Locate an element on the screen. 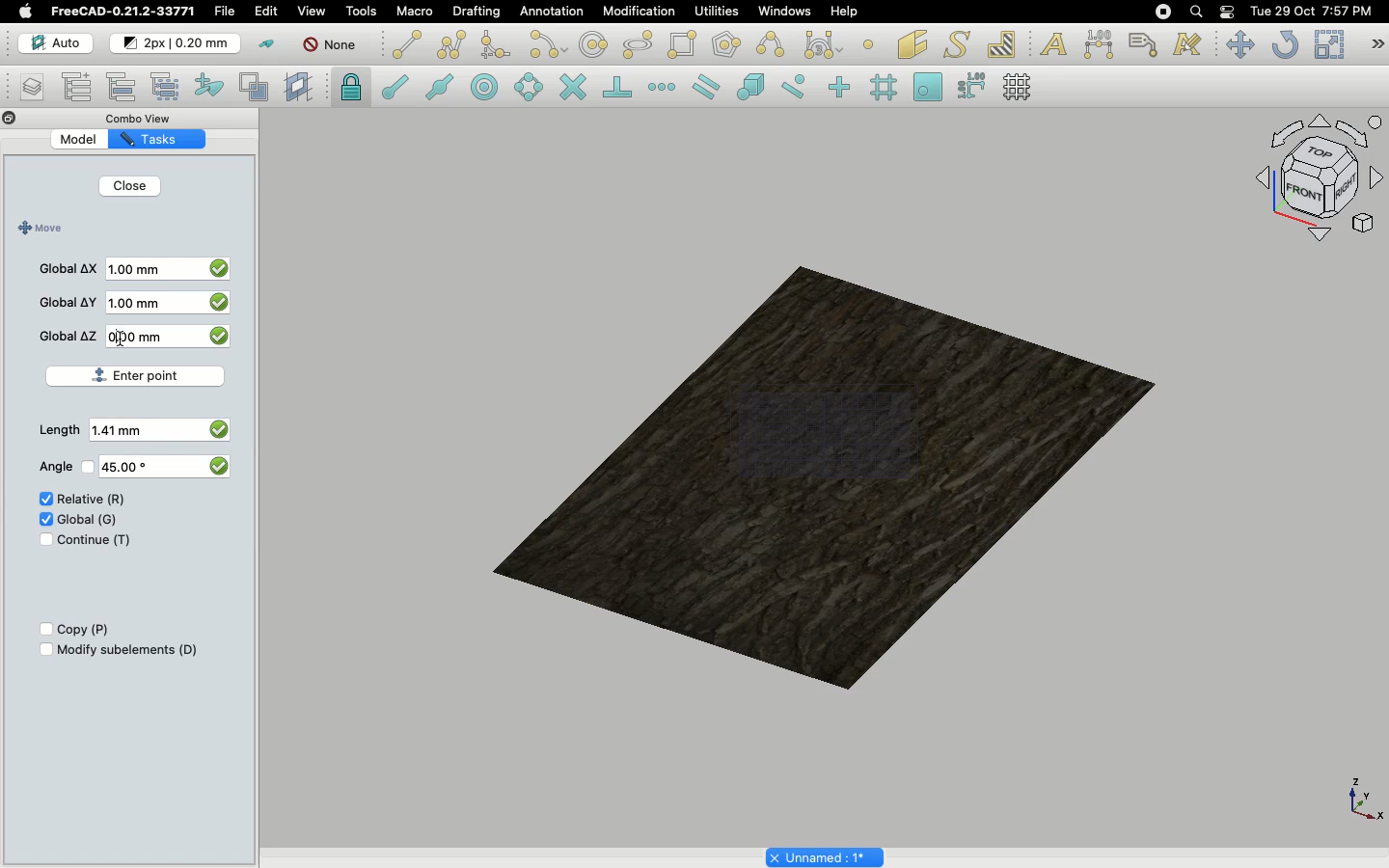  Global X is located at coordinates (68, 266).